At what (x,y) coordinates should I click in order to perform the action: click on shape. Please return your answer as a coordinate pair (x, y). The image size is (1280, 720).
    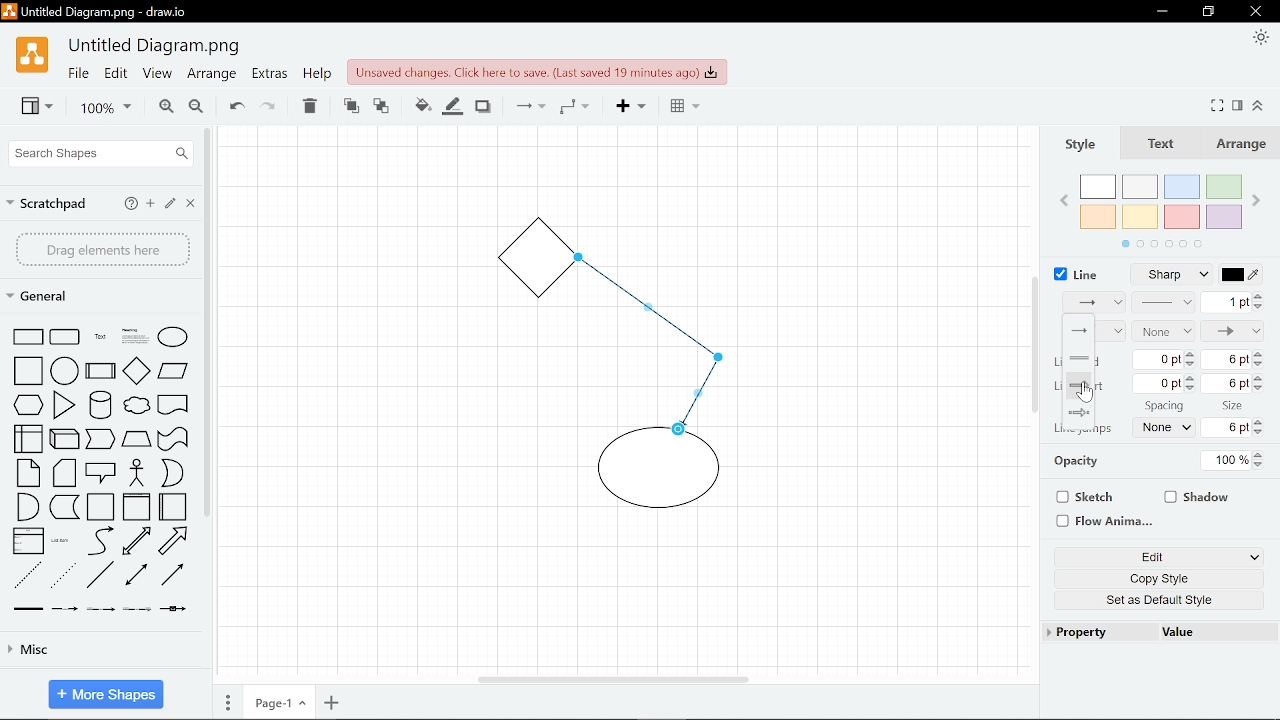
    Looking at the image, I should click on (139, 542).